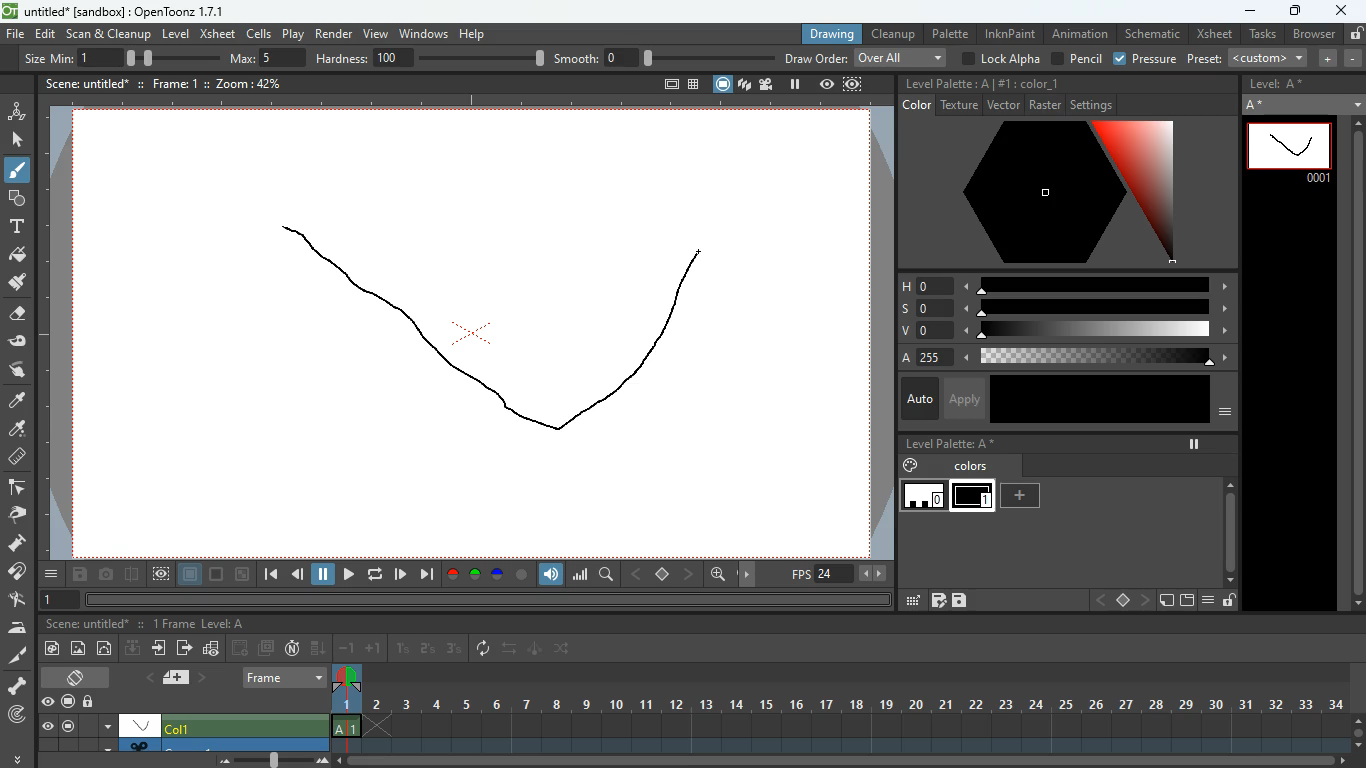 The height and width of the screenshot is (768, 1366). I want to click on left, so click(1099, 601).